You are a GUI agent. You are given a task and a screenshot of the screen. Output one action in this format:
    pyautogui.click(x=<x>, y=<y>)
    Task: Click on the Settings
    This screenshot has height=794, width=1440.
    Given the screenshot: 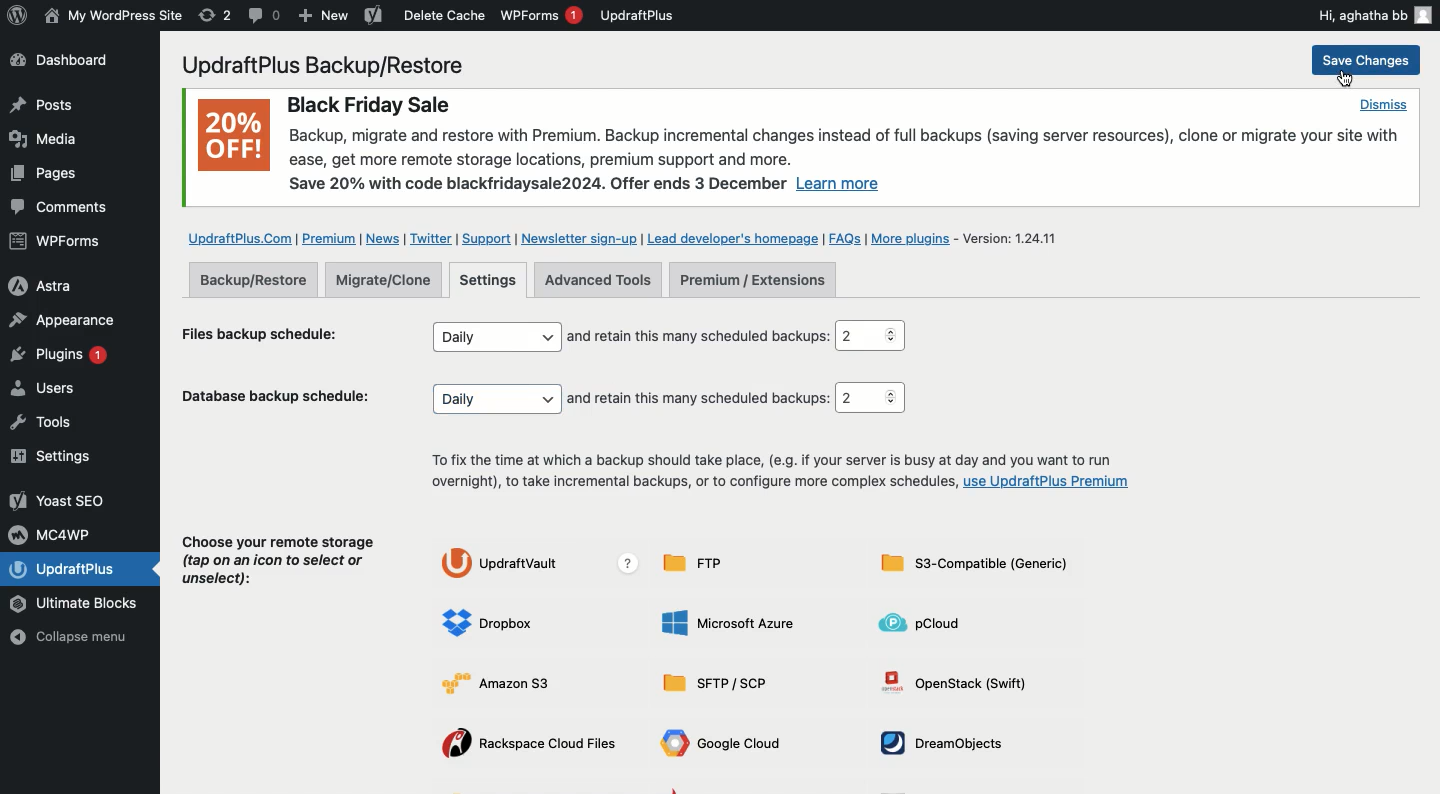 What is the action you would take?
    pyautogui.click(x=57, y=457)
    